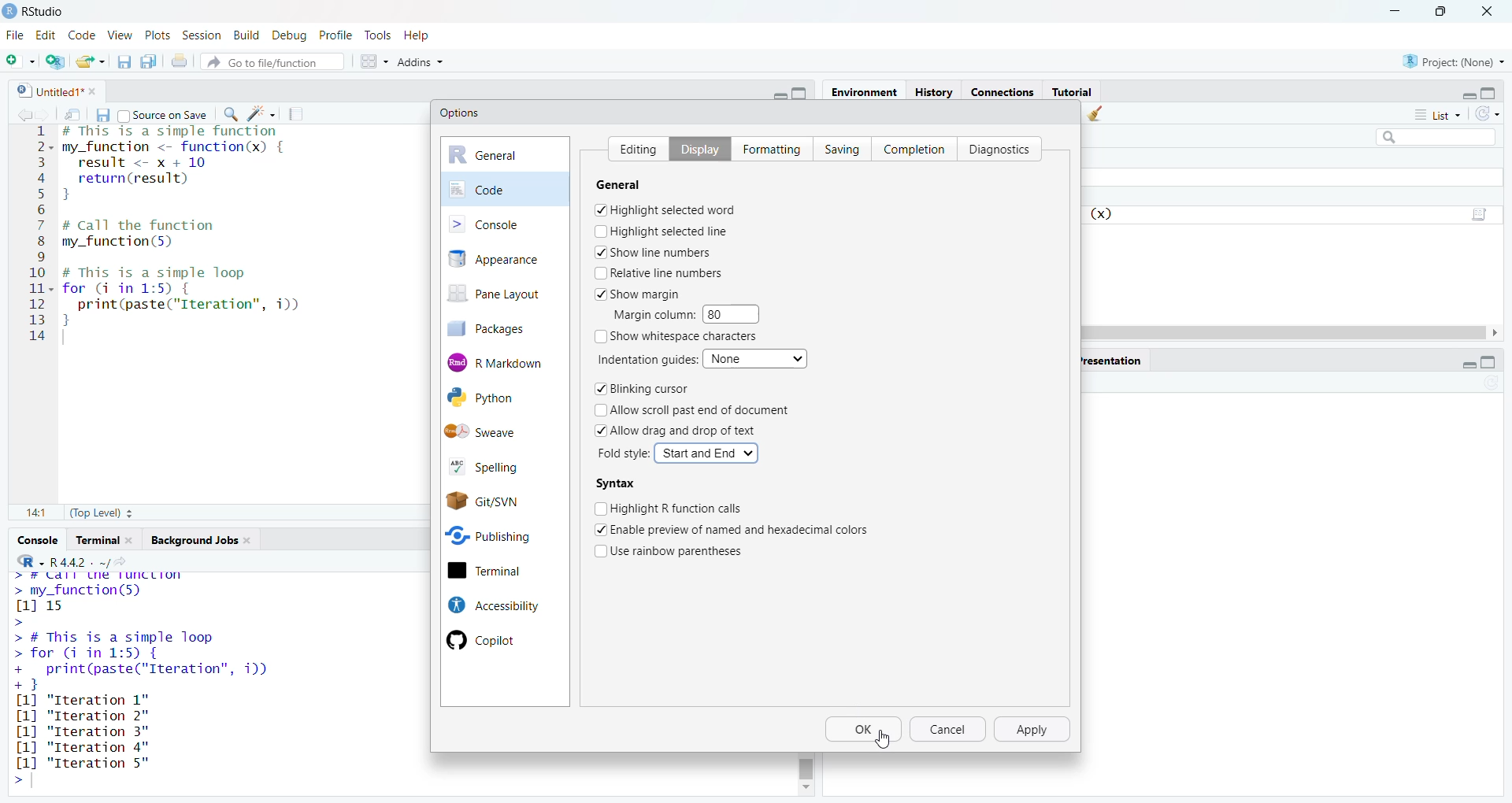  What do you see at coordinates (498, 464) in the screenshot?
I see `spelling` at bounding box center [498, 464].